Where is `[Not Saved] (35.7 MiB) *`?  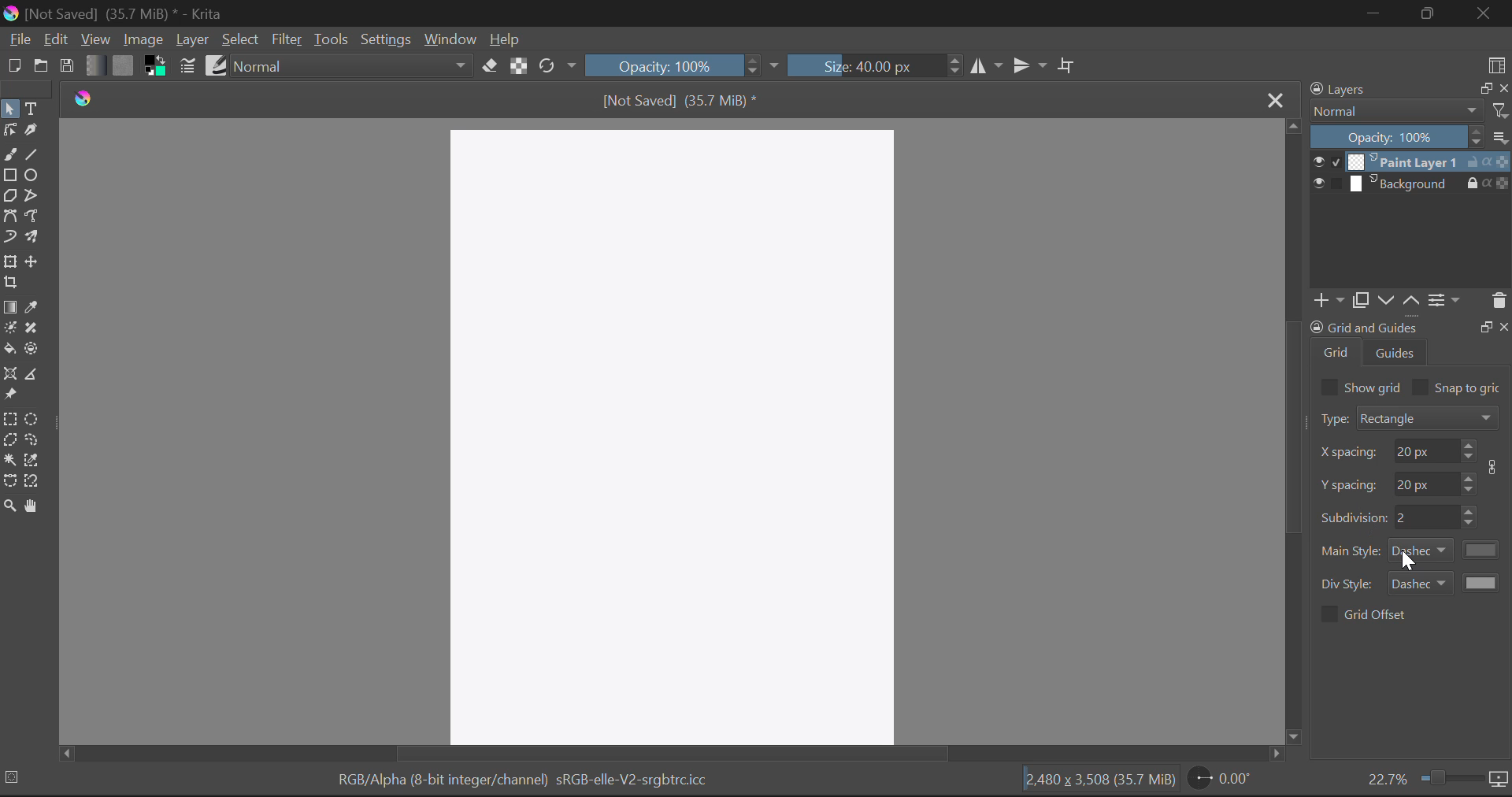
[Not Saved] (35.7 MiB) * is located at coordinates (679, 99).